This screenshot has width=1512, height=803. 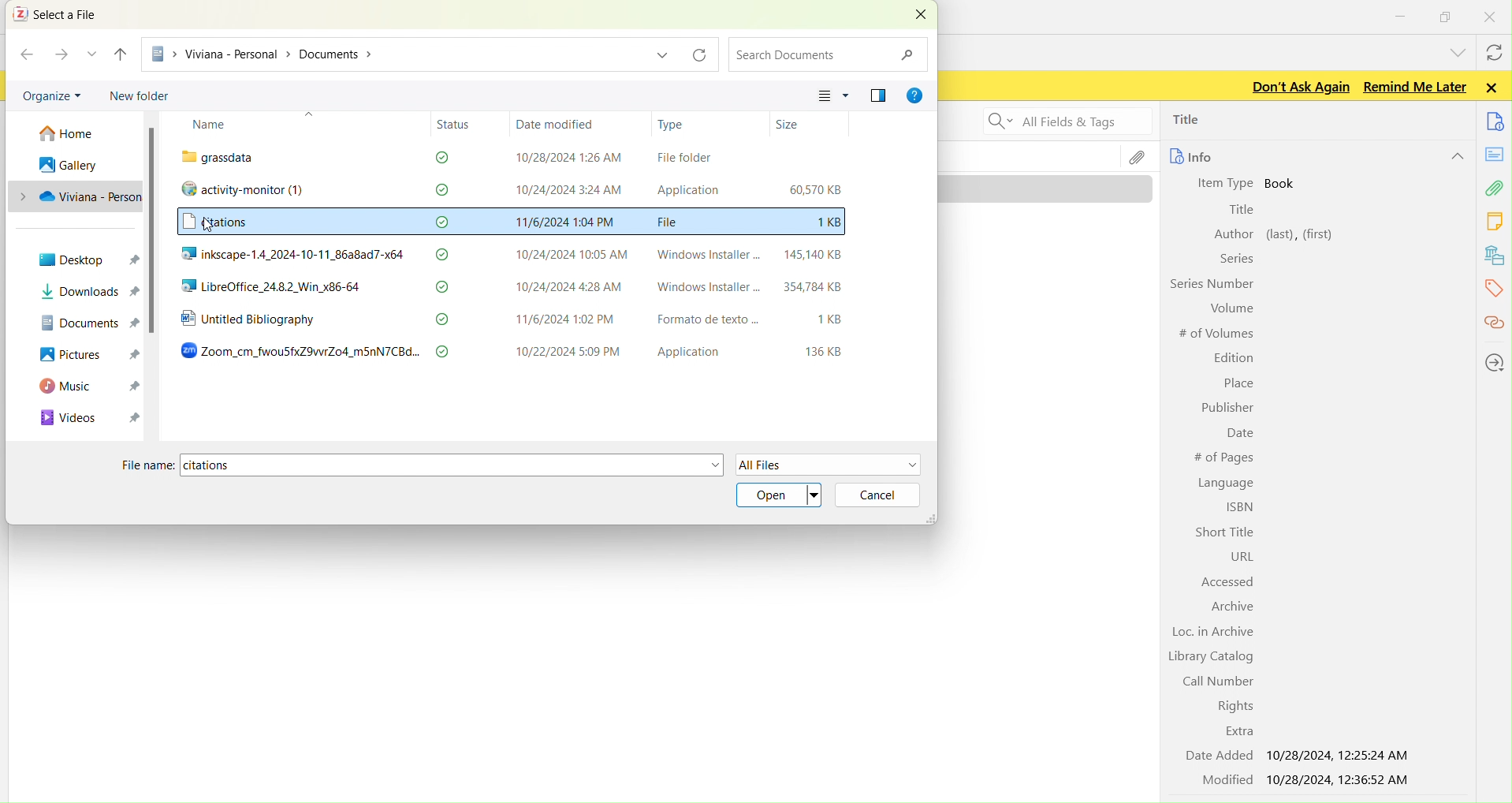 What do you see at coordinates (828, 54) in the screenshot?
I see `search documents` at bounding box center [828, 54].